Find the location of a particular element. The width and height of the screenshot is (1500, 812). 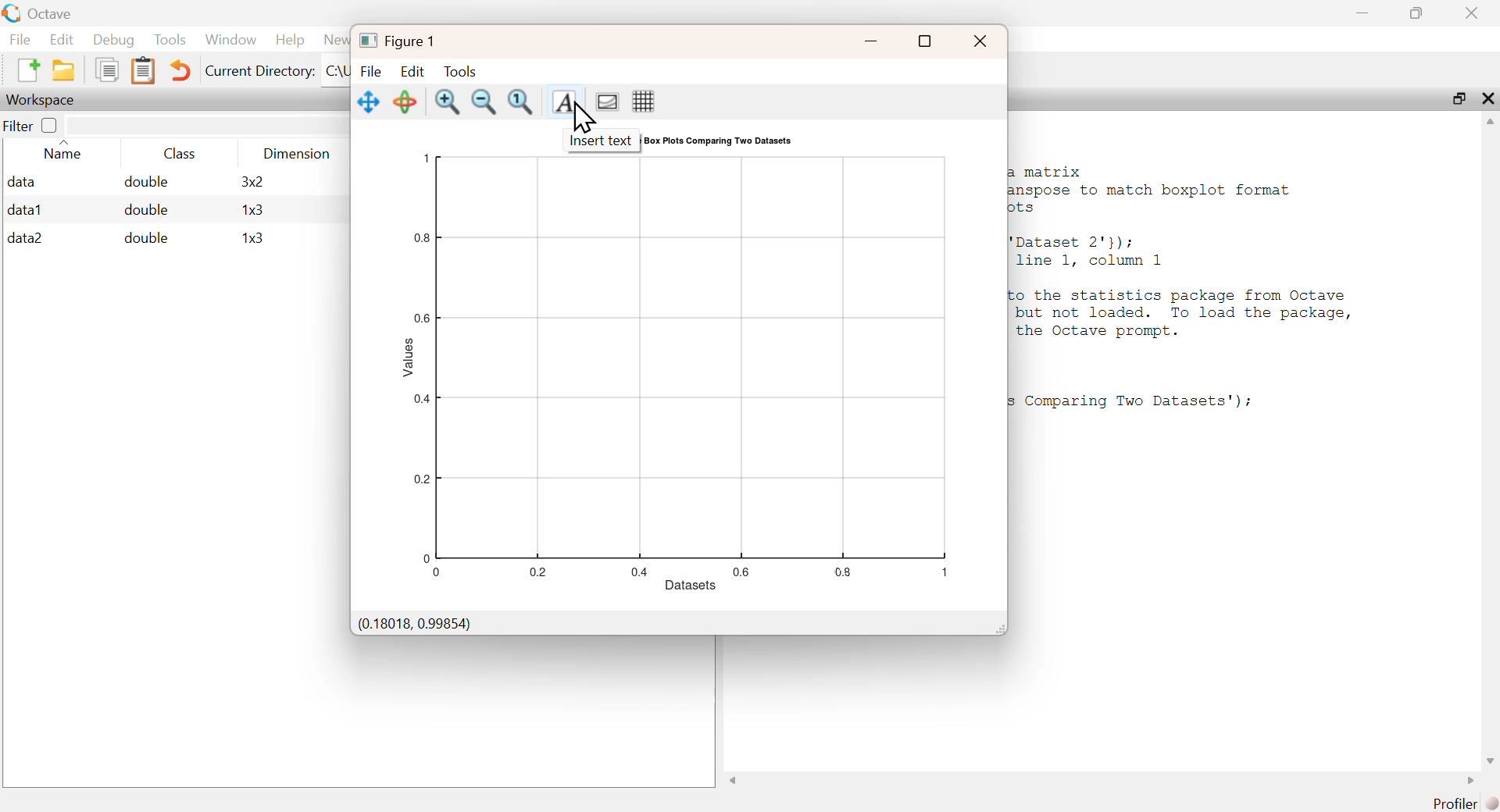

Current Directory: is located at coordinates (261, 72).